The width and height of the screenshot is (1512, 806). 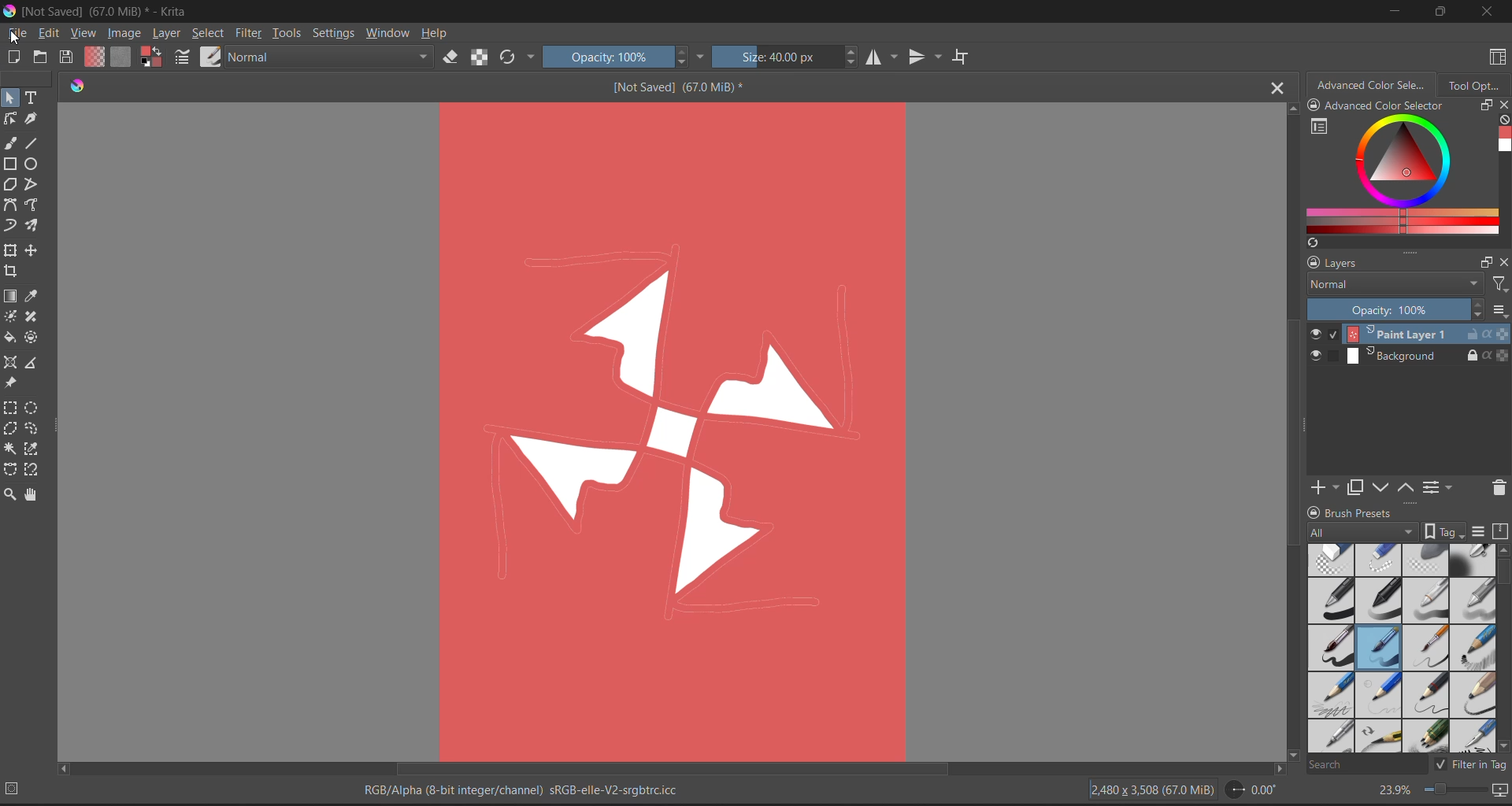 What do you see at coordinates (1374, 87) in the screenshot?
I see `advanced color selector` at bounding box center [1374, 87].